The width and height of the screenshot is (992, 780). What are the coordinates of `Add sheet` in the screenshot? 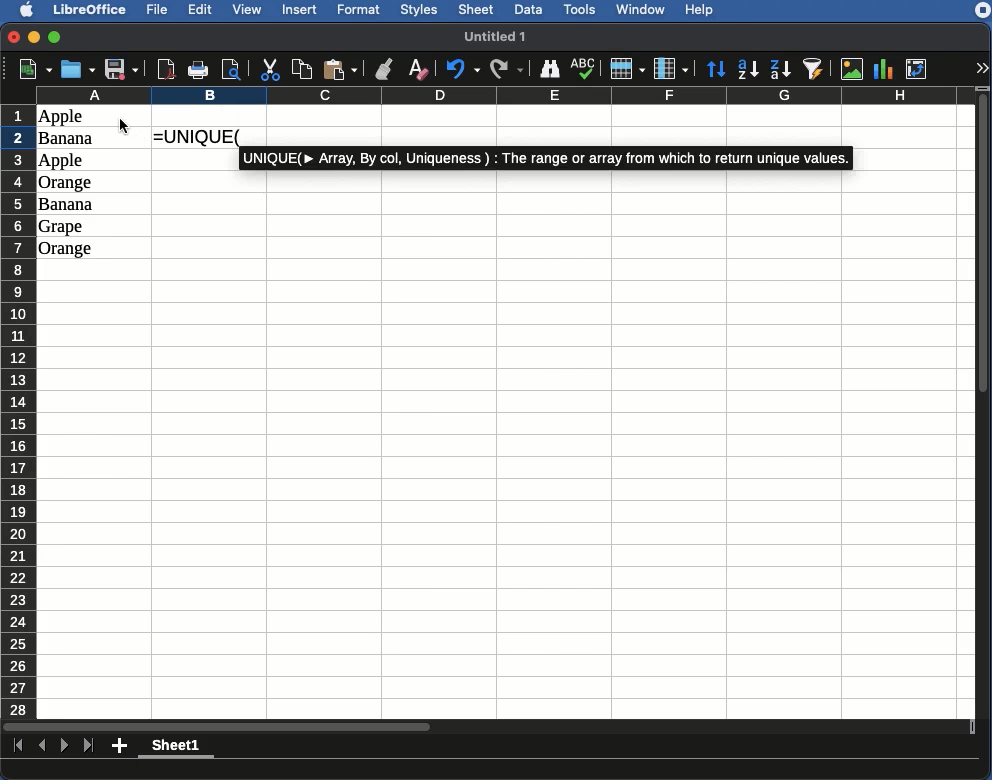 It's located at (120, 748).